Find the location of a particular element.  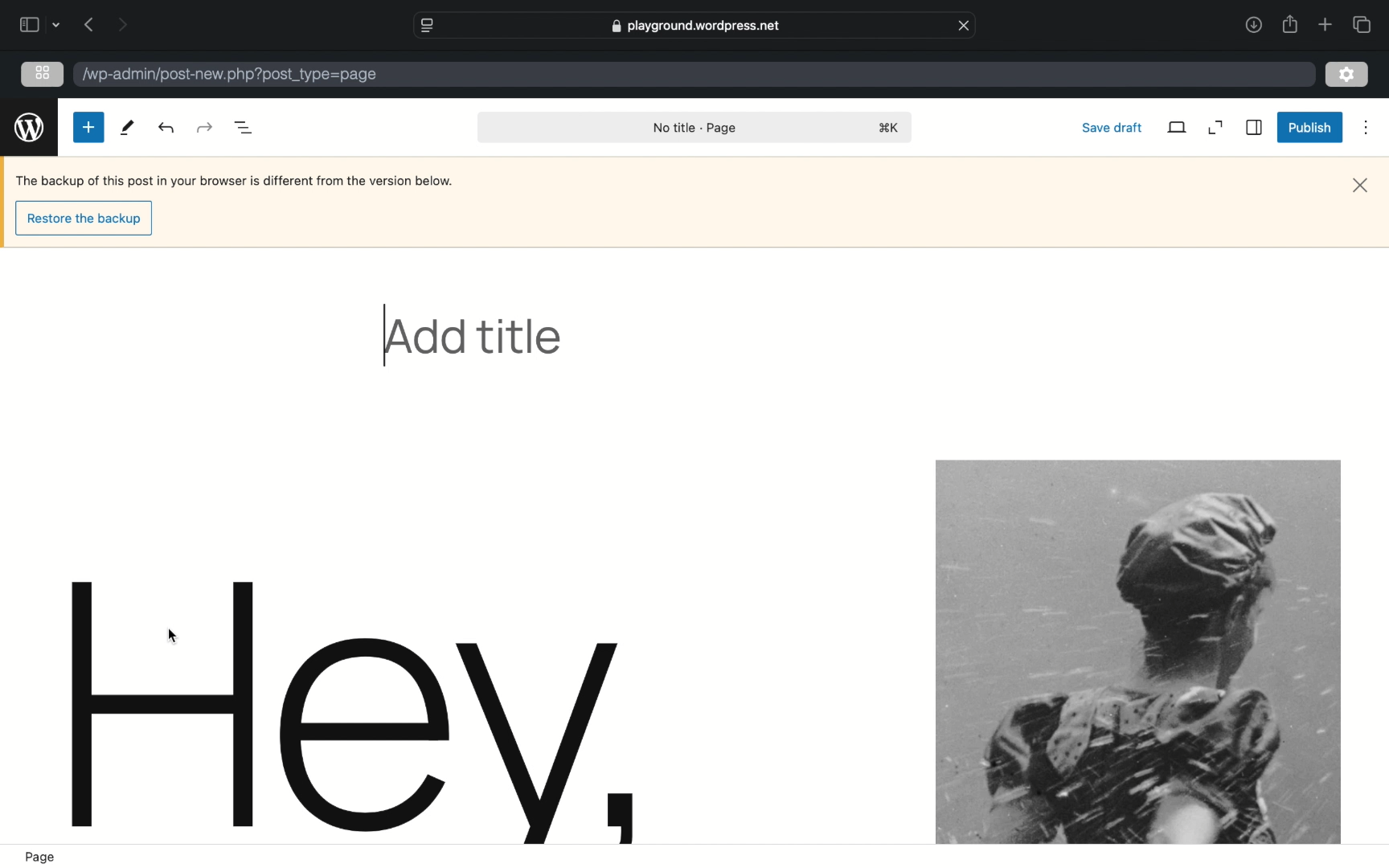

website settings is located at coordinates (427, 26).